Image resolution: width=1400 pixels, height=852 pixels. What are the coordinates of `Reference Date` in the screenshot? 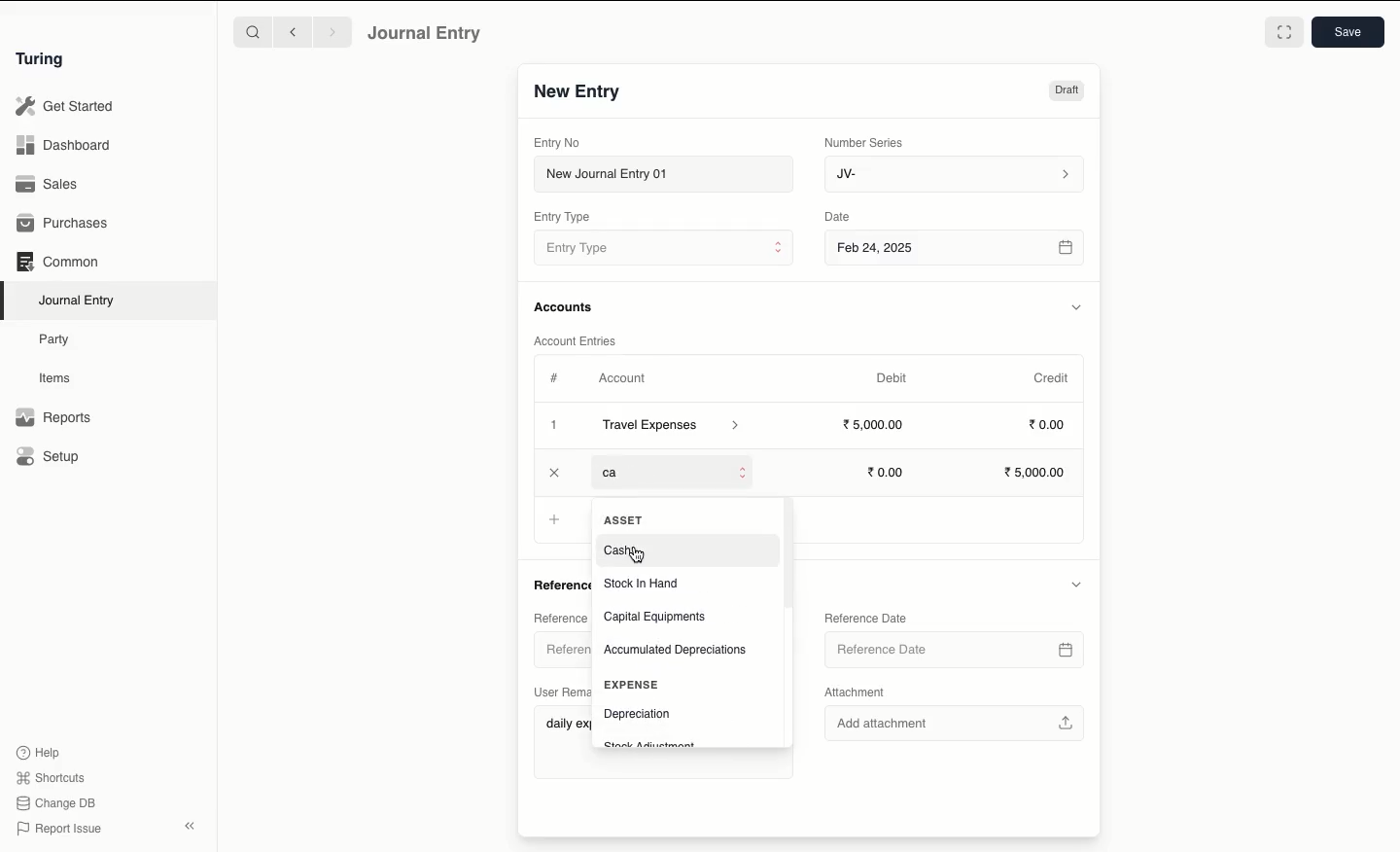 It's located at (865, 620).